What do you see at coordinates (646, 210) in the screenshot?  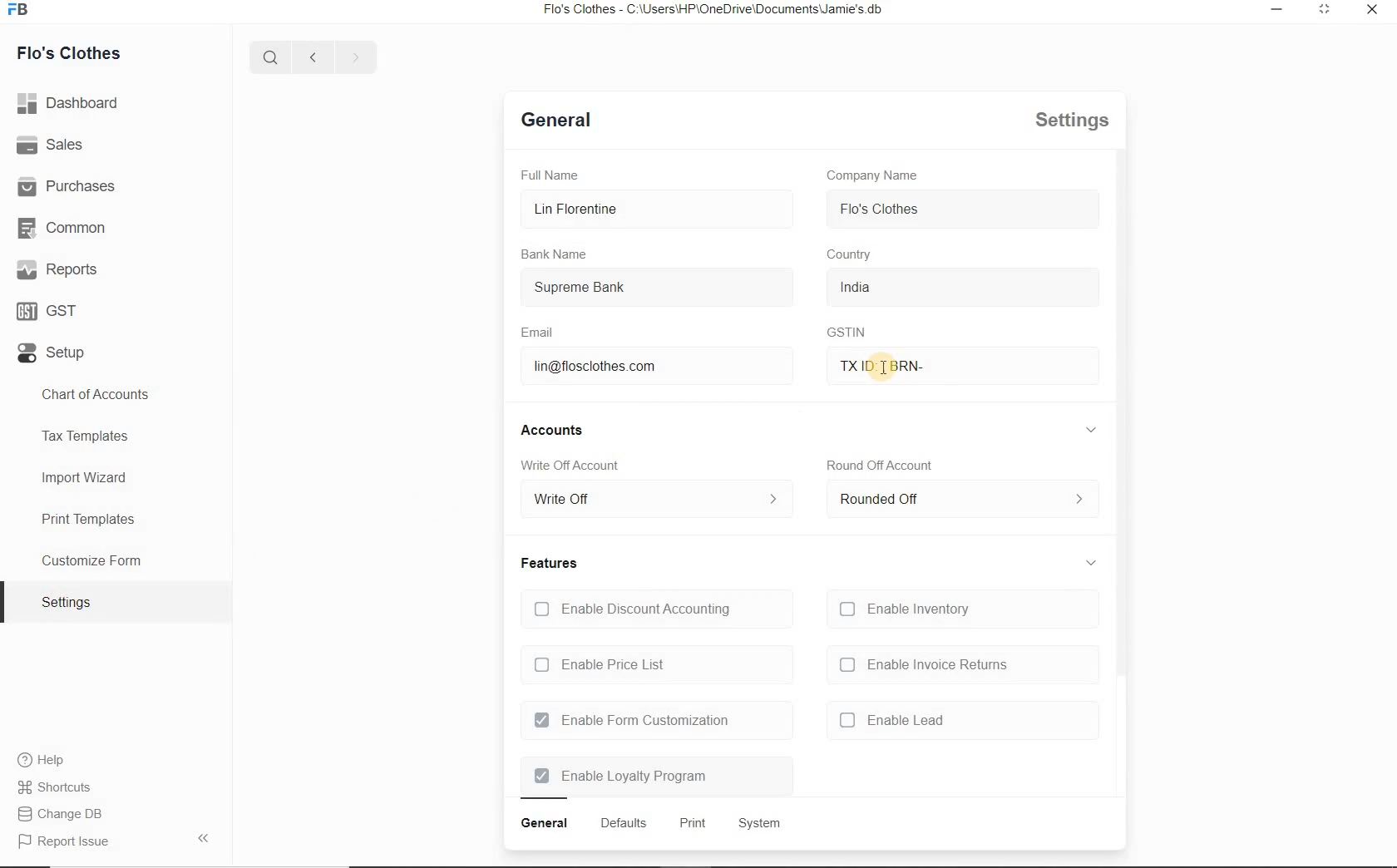 I see `Lin Florentine` at bounding box center [646, 210].